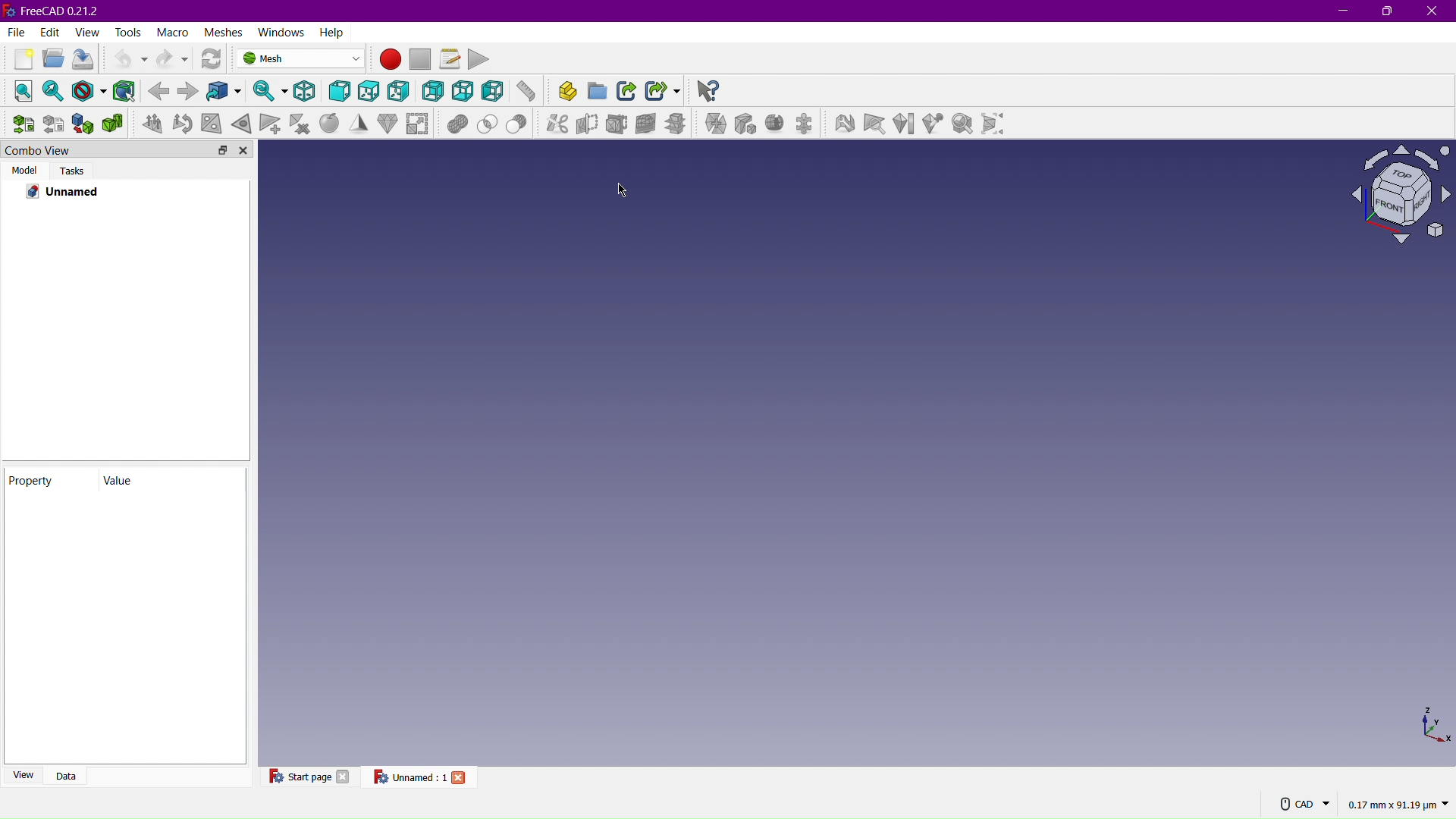 This screenshot has height=819, width=1456. I want to click on Create section from mesh, so click(646, 124).